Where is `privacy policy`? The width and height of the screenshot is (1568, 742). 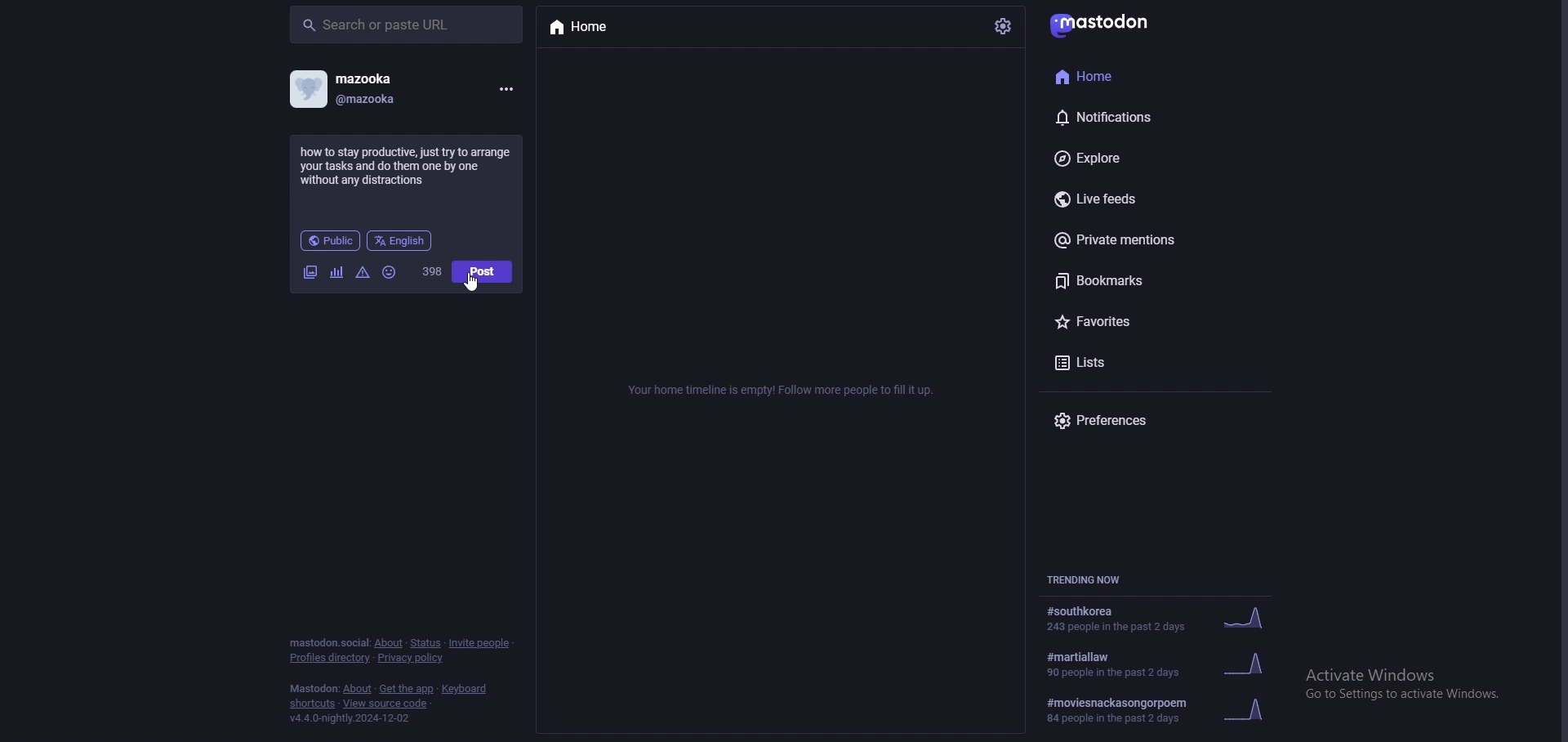 privacy policy is located at coordinates (414, 659).